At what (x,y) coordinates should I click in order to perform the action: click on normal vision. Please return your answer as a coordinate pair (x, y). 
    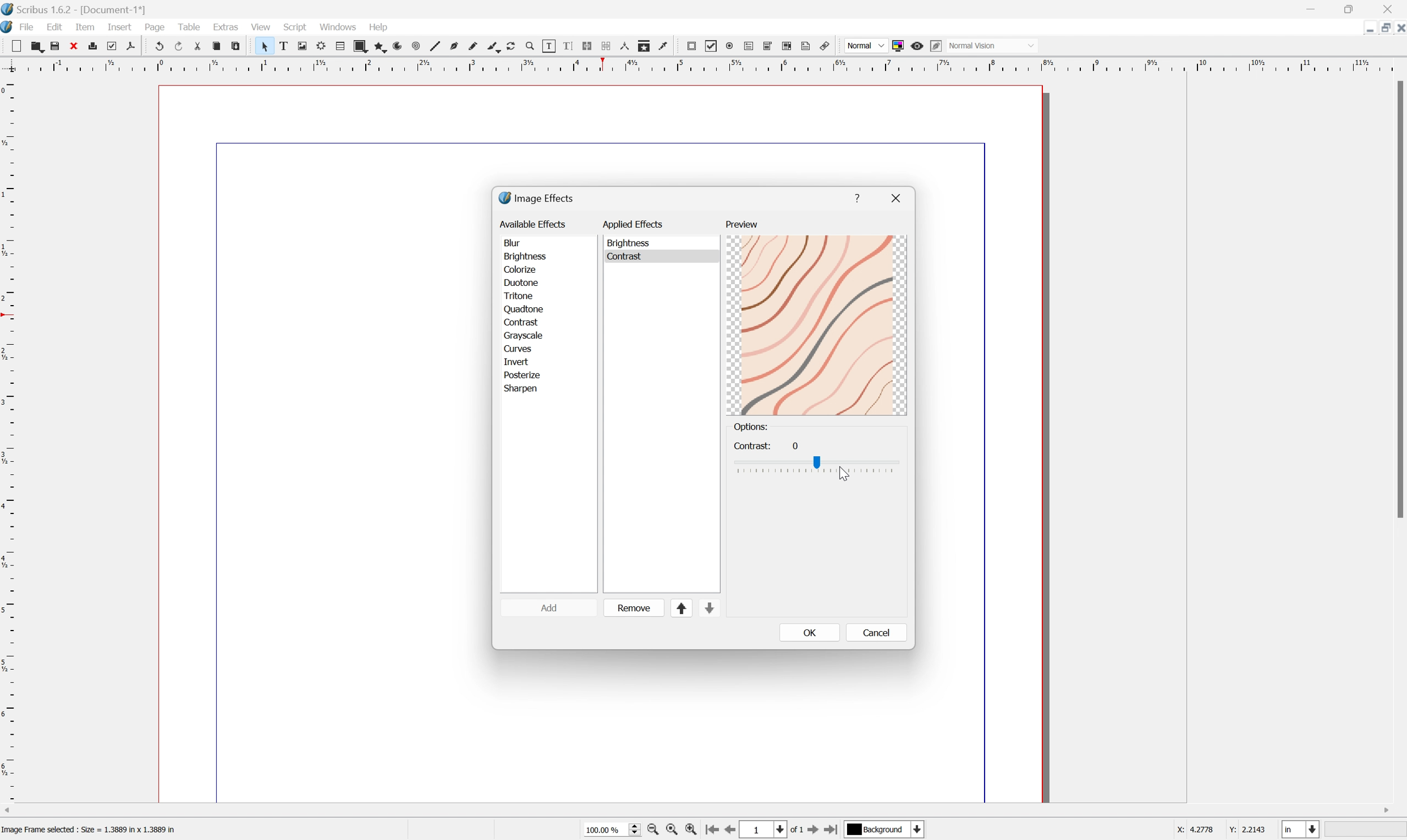
    Looking at the image, I should click on (973, 44).